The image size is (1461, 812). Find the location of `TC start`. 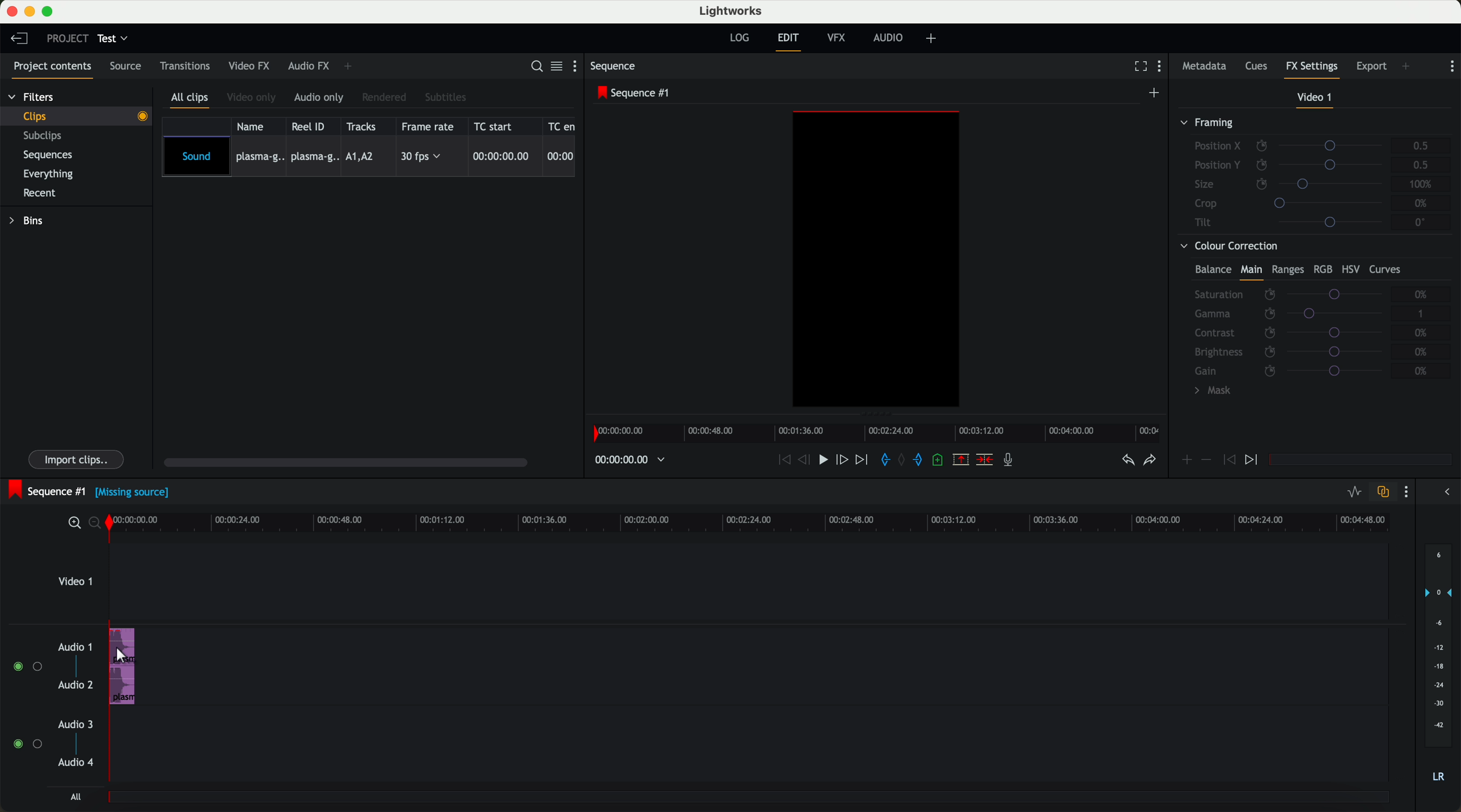

TC start is located at coordinates (498, 126).